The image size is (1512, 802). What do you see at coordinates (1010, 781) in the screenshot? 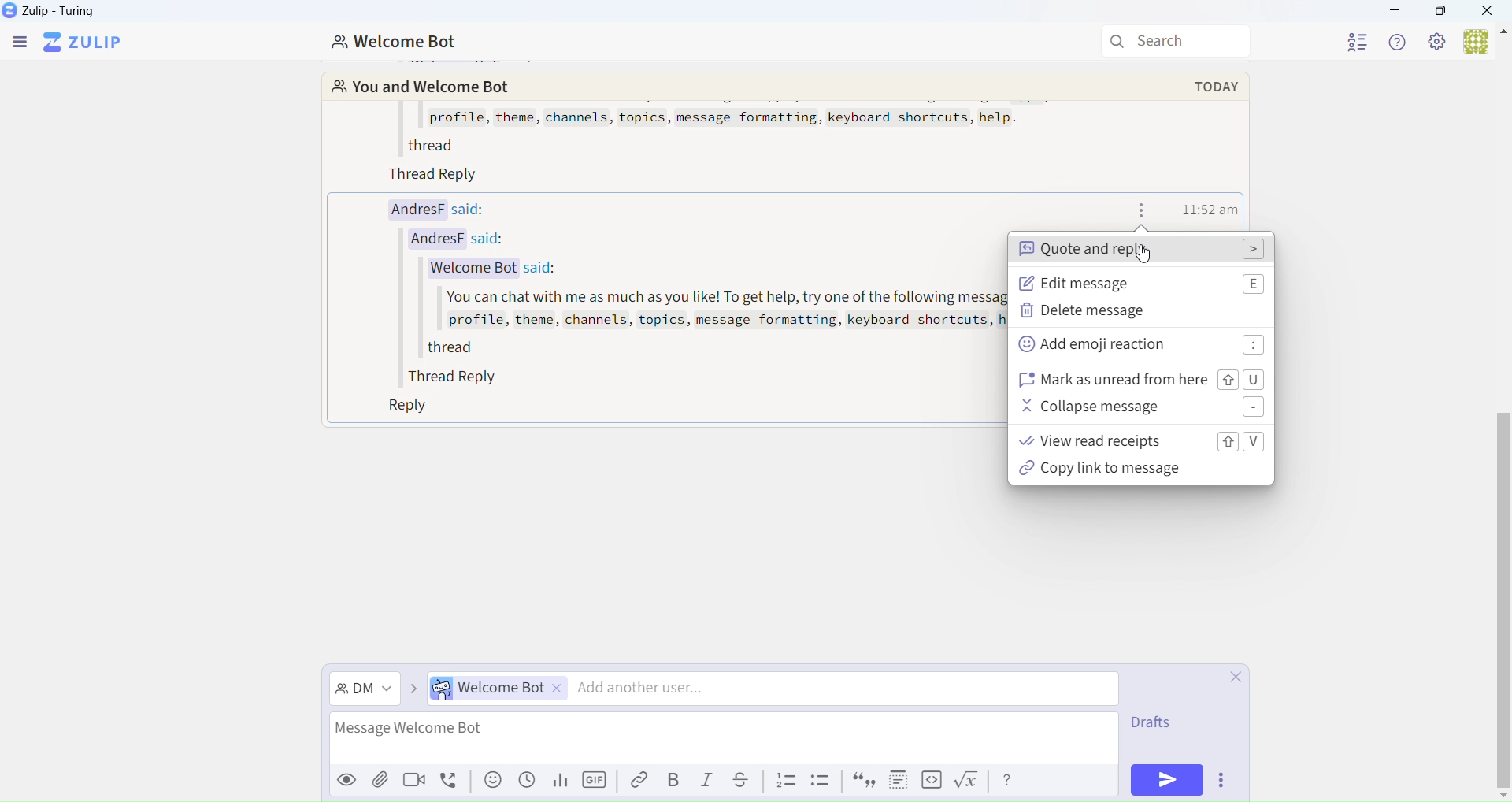
I see `help` at bounding box center [1010, 781].